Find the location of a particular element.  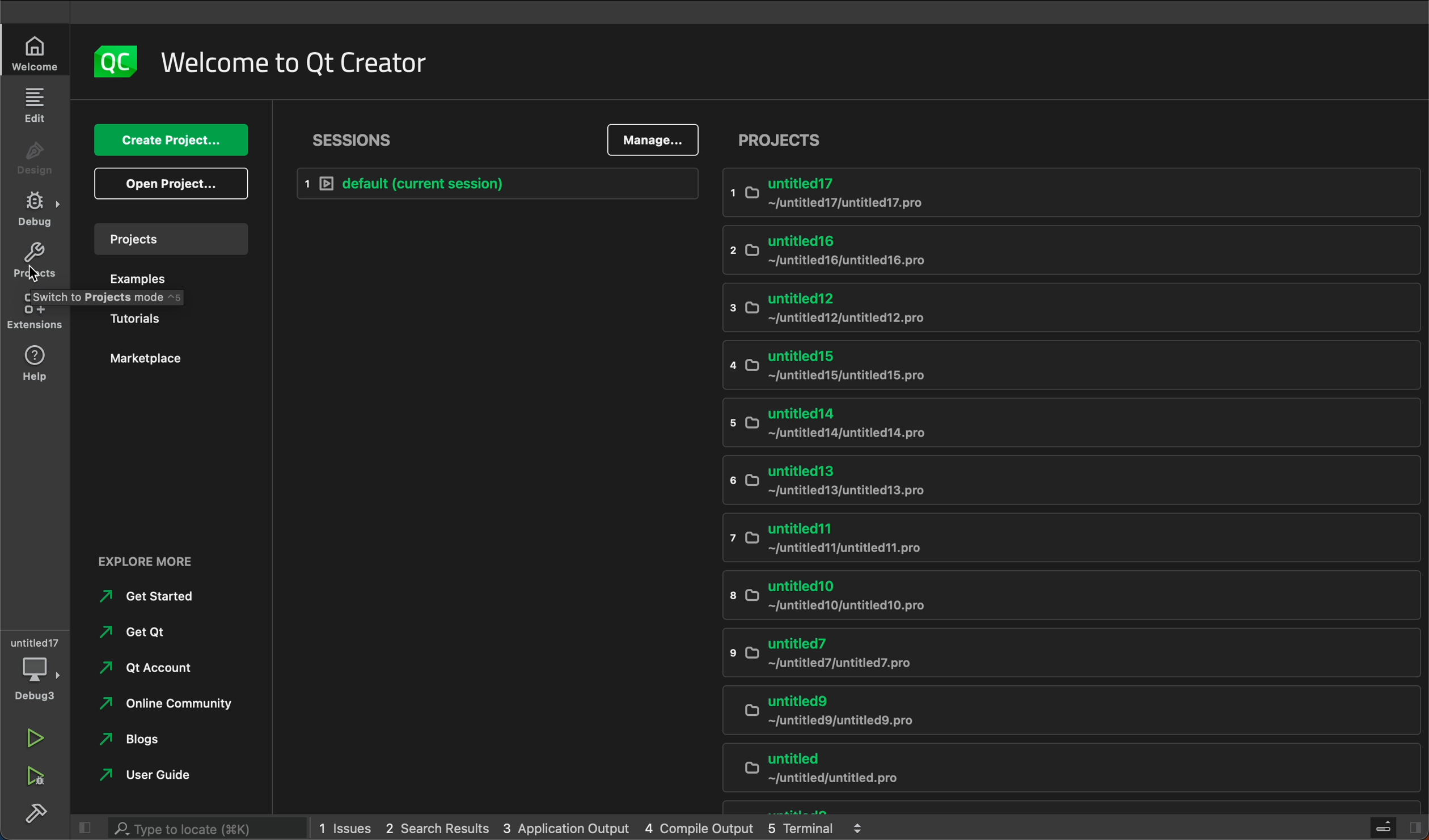

issues is located at coordinates (347, 828).